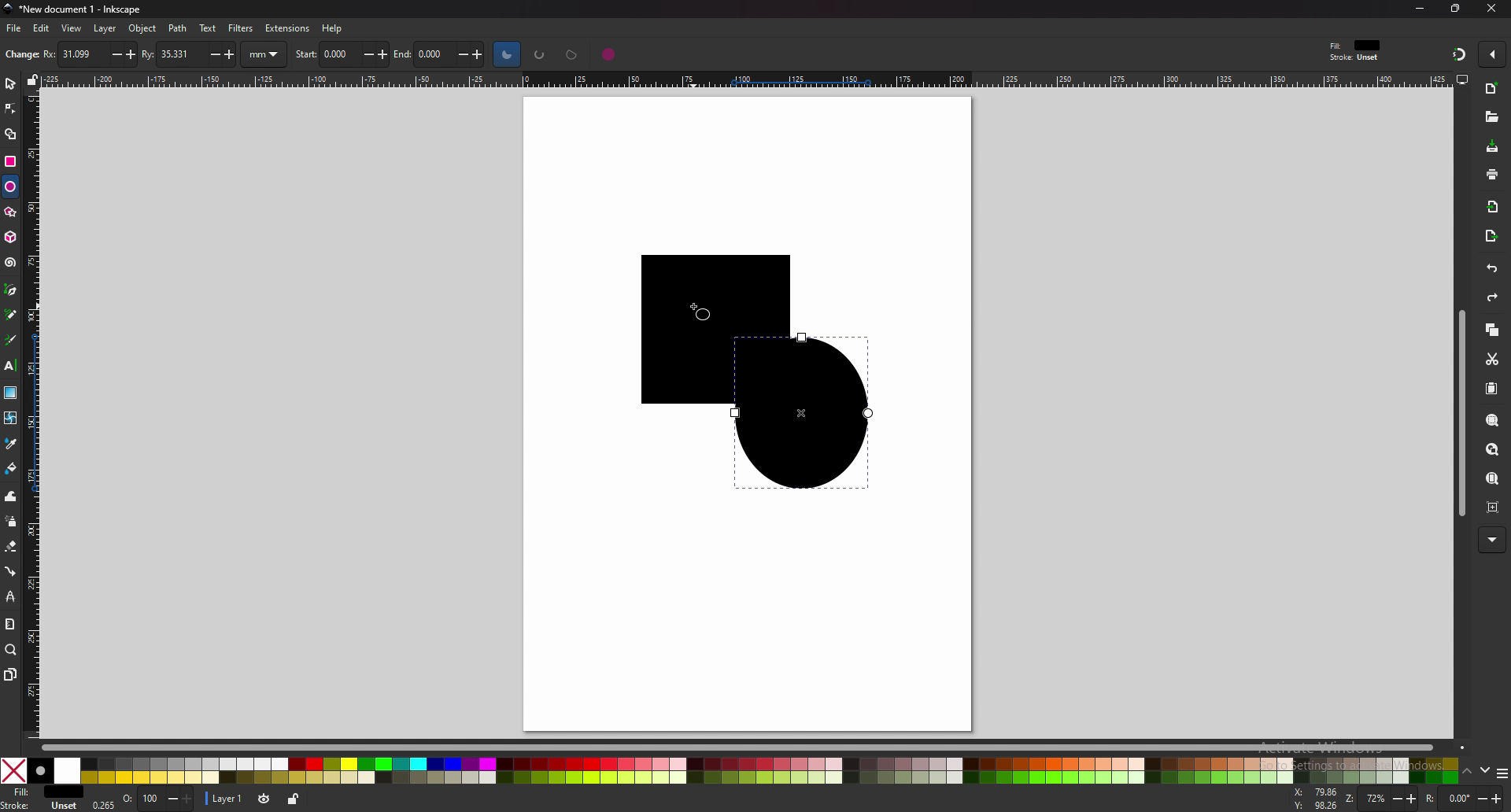 This screenshot has width=1511, height=812. What do you see at coordinates (10, 366) in the screenshot?
I see `text` at bounding box center [10, 366].